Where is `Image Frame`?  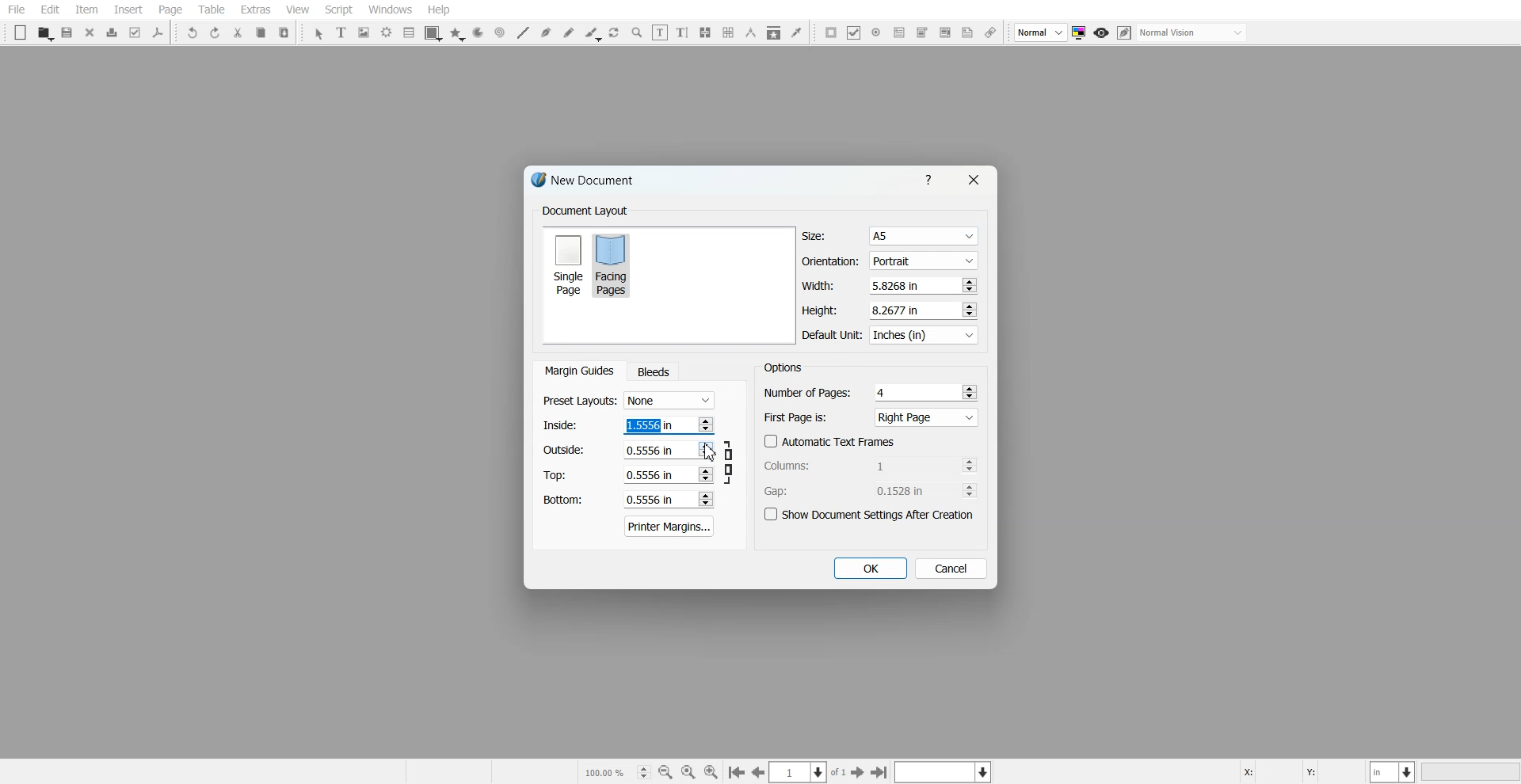 Image Frame is located at coordinates (364, 32).